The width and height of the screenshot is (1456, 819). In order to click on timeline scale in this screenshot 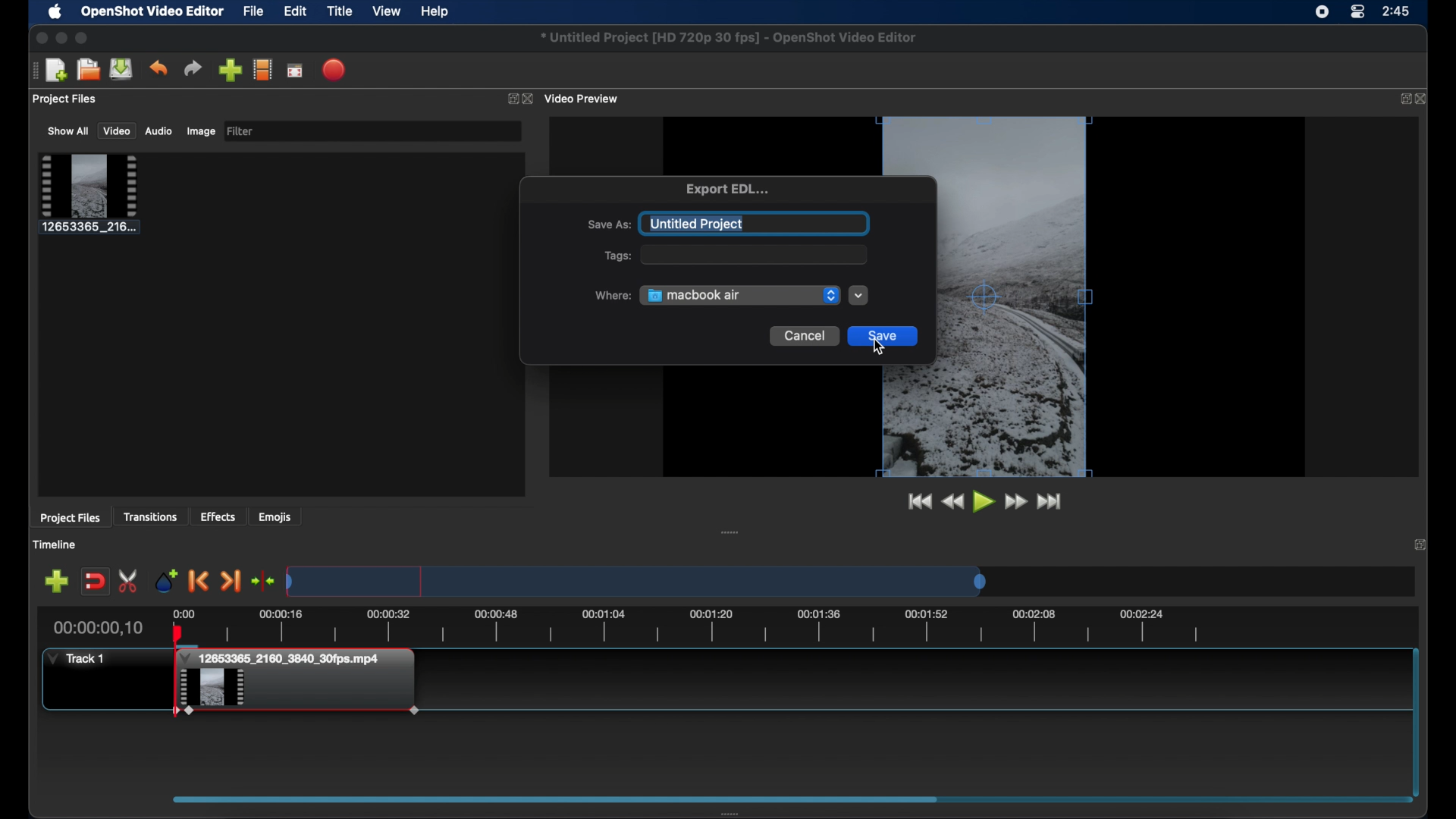, I will do `click(635, 580)`.